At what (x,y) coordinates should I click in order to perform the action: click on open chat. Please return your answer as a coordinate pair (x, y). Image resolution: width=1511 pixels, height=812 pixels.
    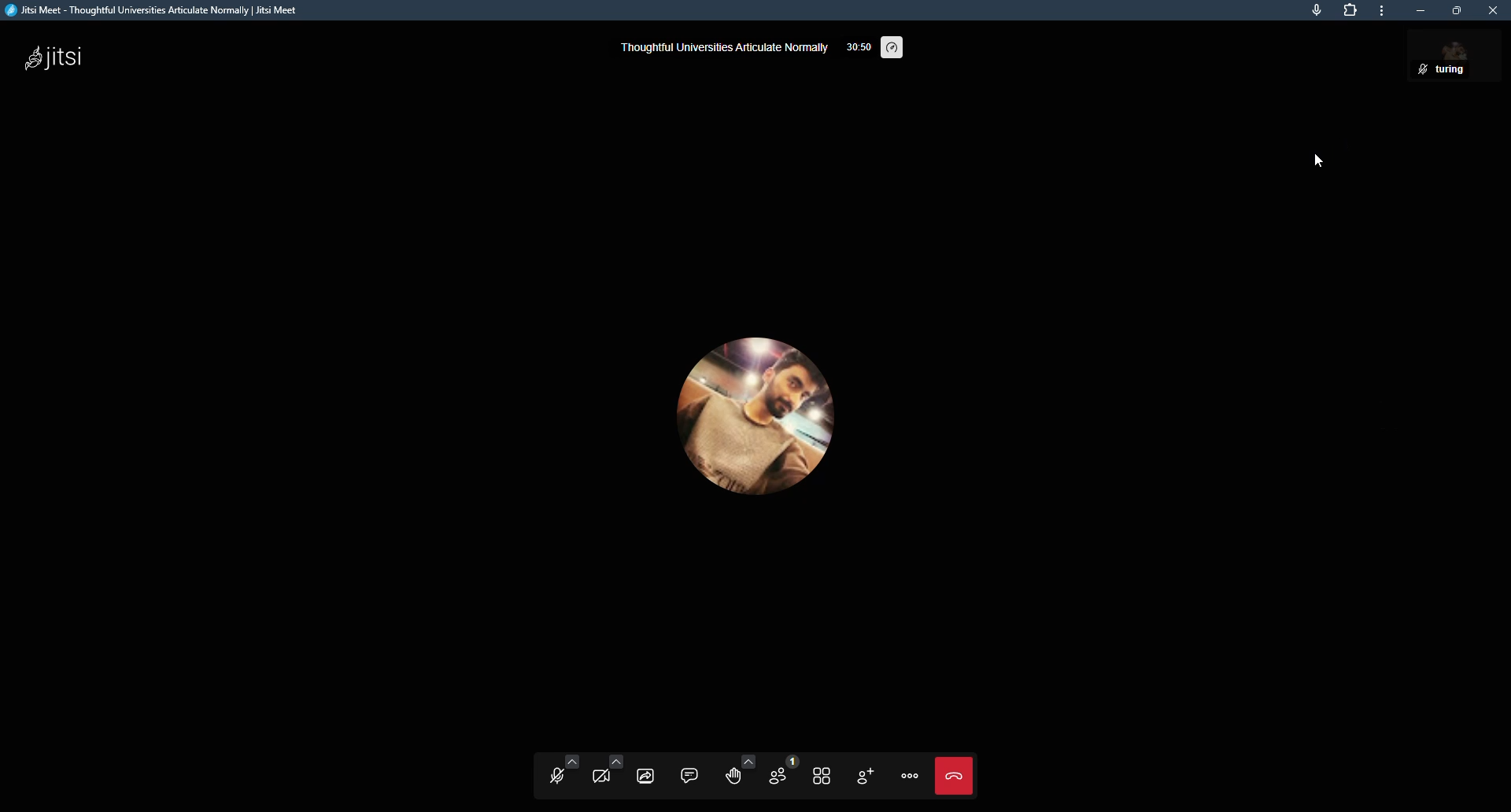
    Looking at the image, I should click on (690, 774).